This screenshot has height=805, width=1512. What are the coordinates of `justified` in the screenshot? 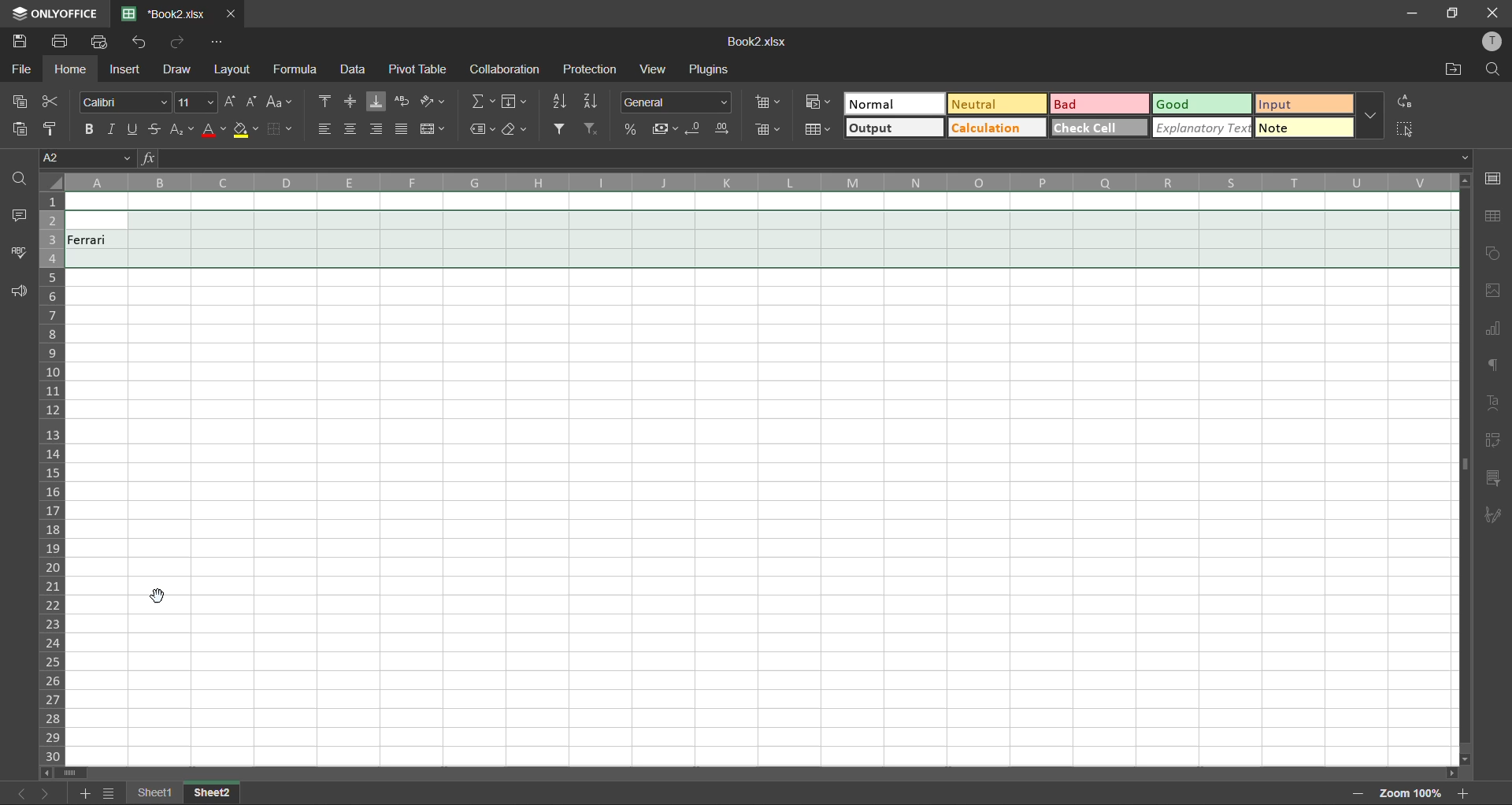 It's located at (402, 128).